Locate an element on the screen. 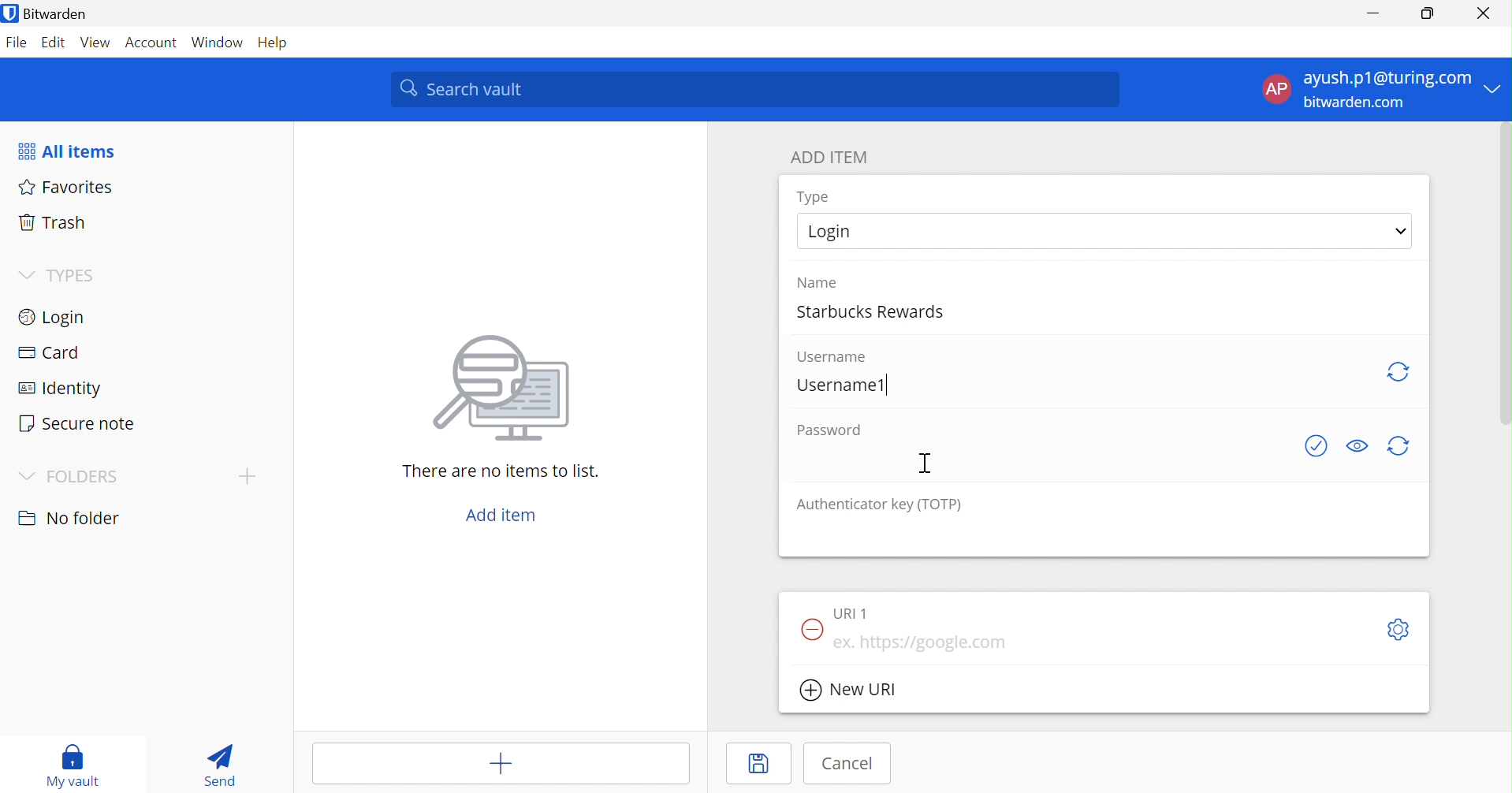 The height and width of the screenshot is (793, 1512). Add item is located at coordinates (473, 763).